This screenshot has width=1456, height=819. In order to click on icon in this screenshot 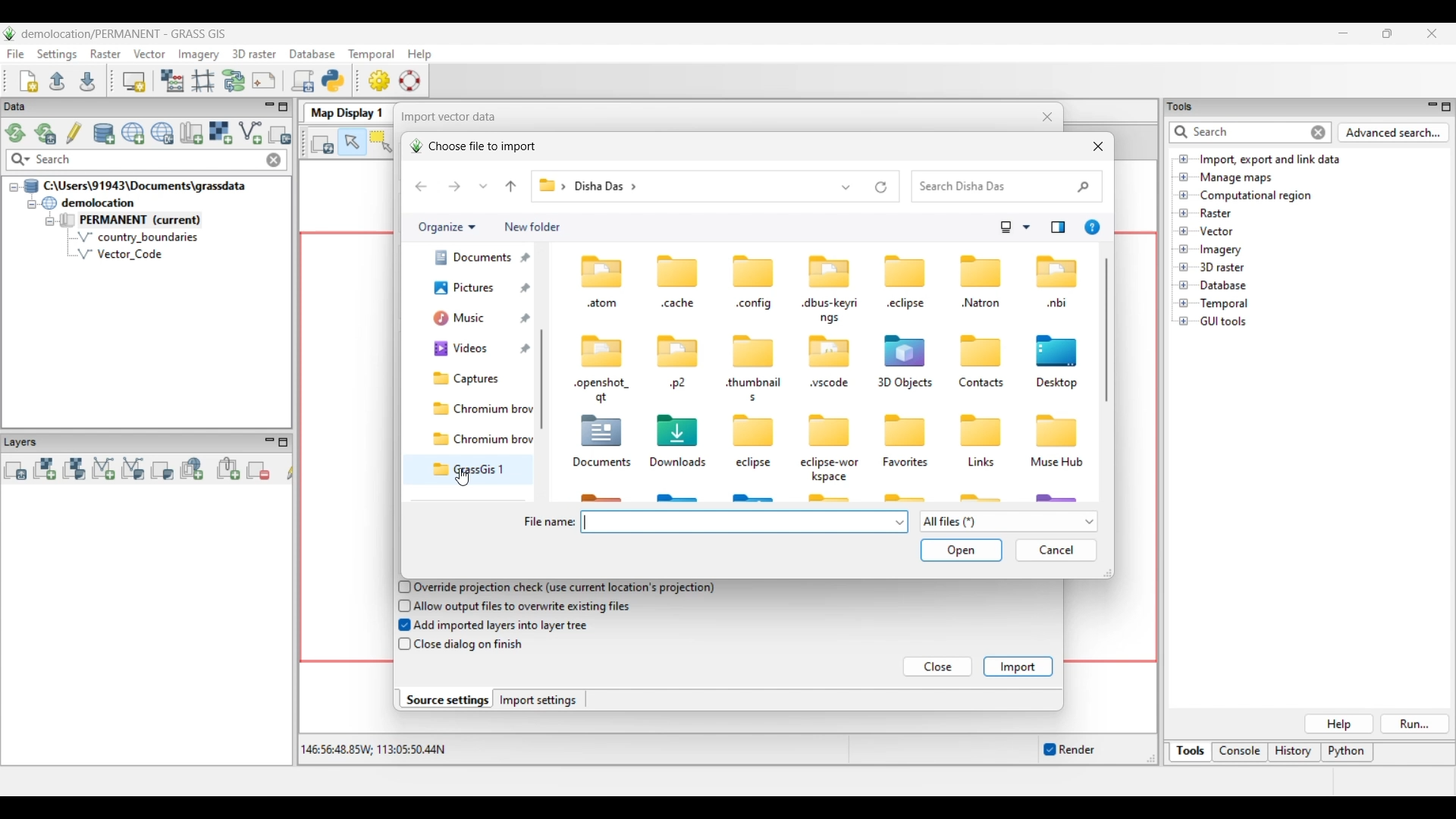, I will do `click(678, 350)`.